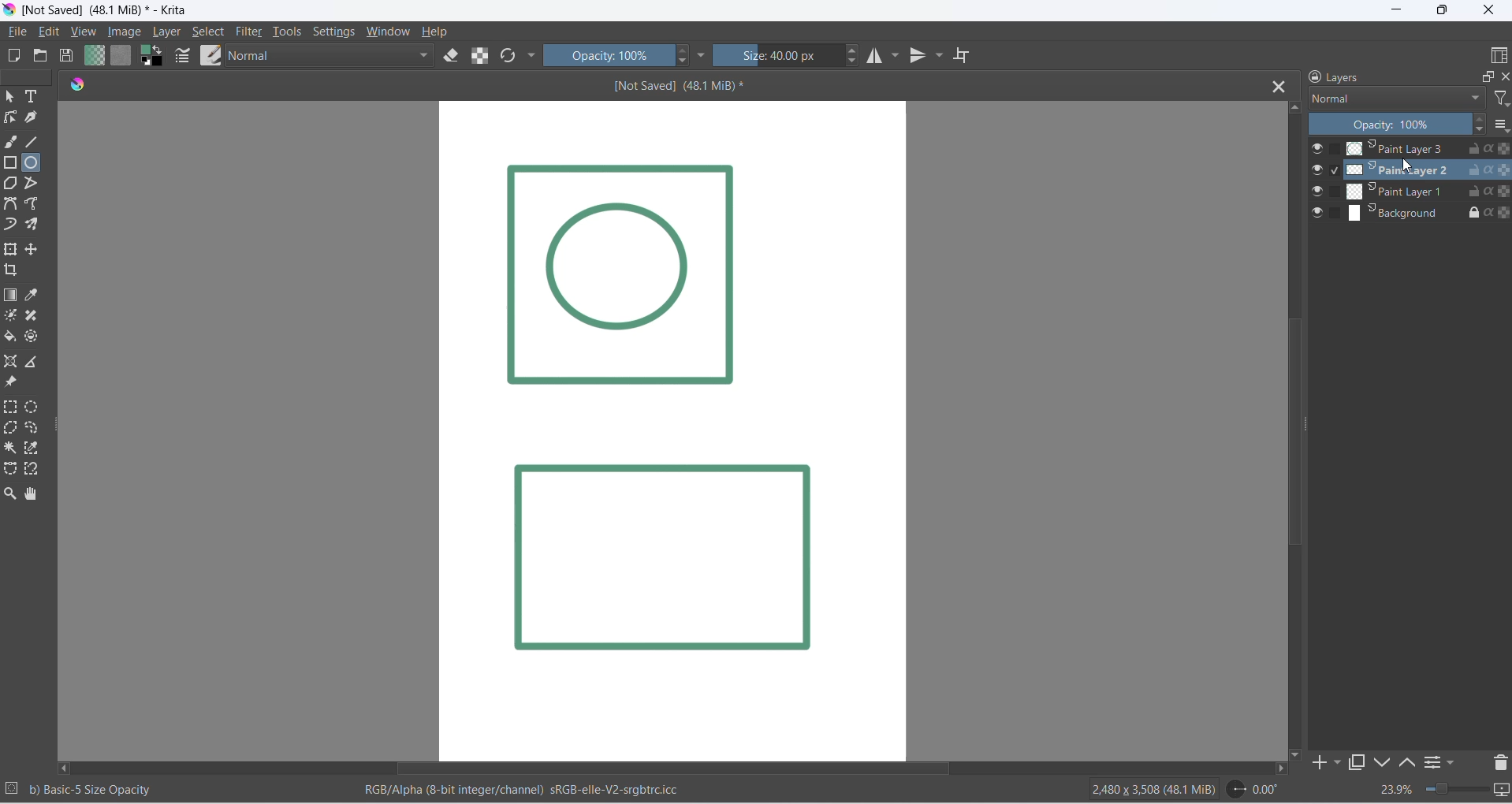  I want to click on edit shapes tool, so click(10, 120).